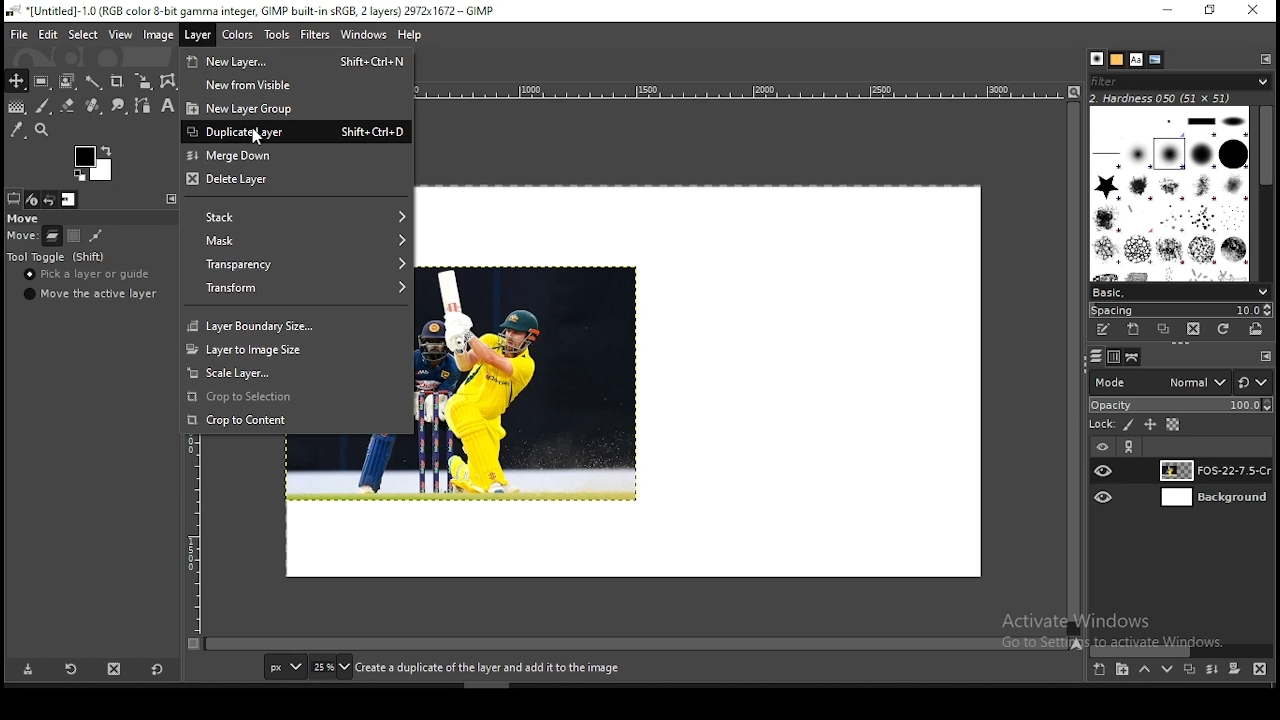 The width and height of the screenshot is (1280, 720). Describe the element at coordinates (50, 34) in the screenshot. I see `edit` at that location.